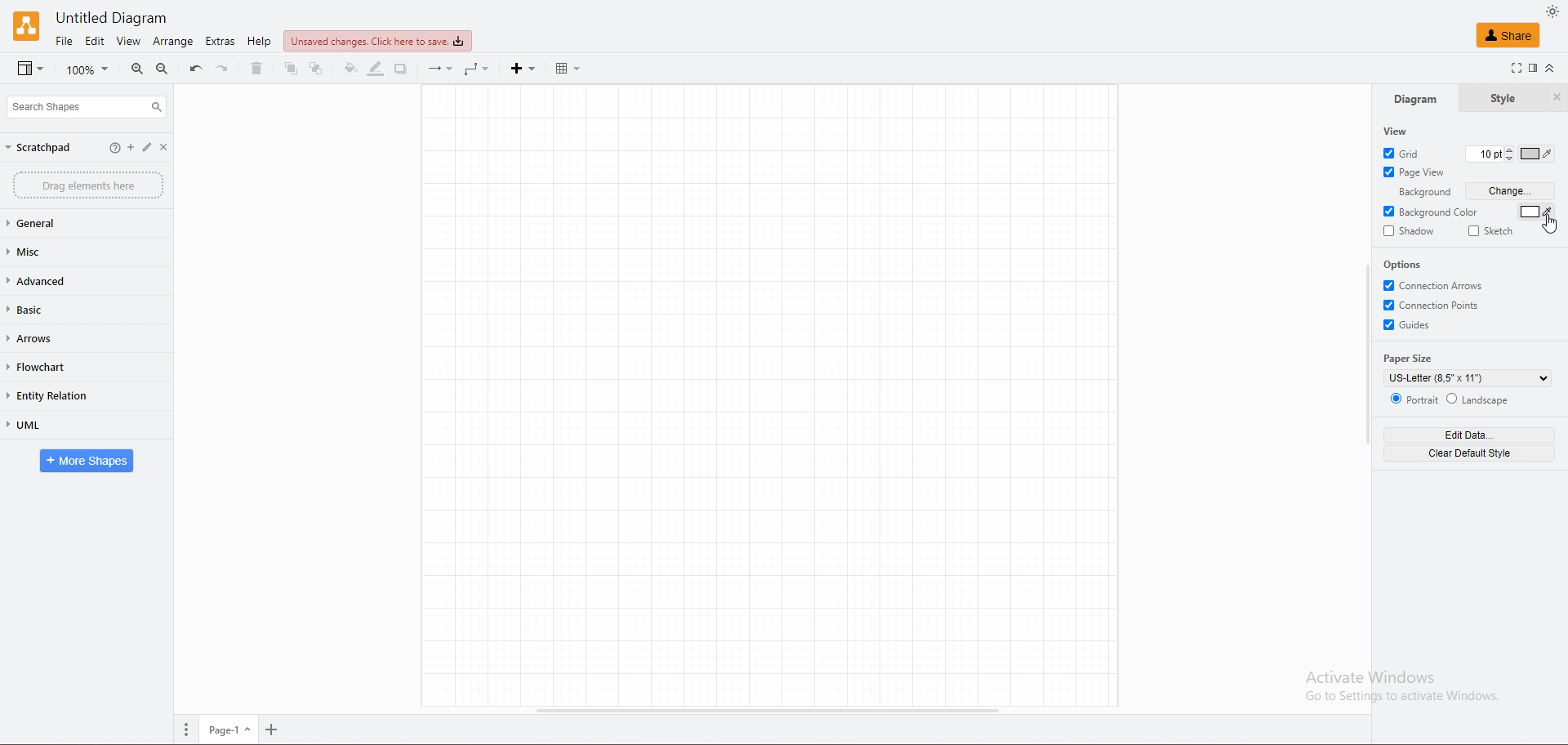 The width and height of the screenshot is (1568, 745). What do you see at coordinates (1468, 378) in the screenshot?
I see `paper size value` at bounding box center [1468, 378].